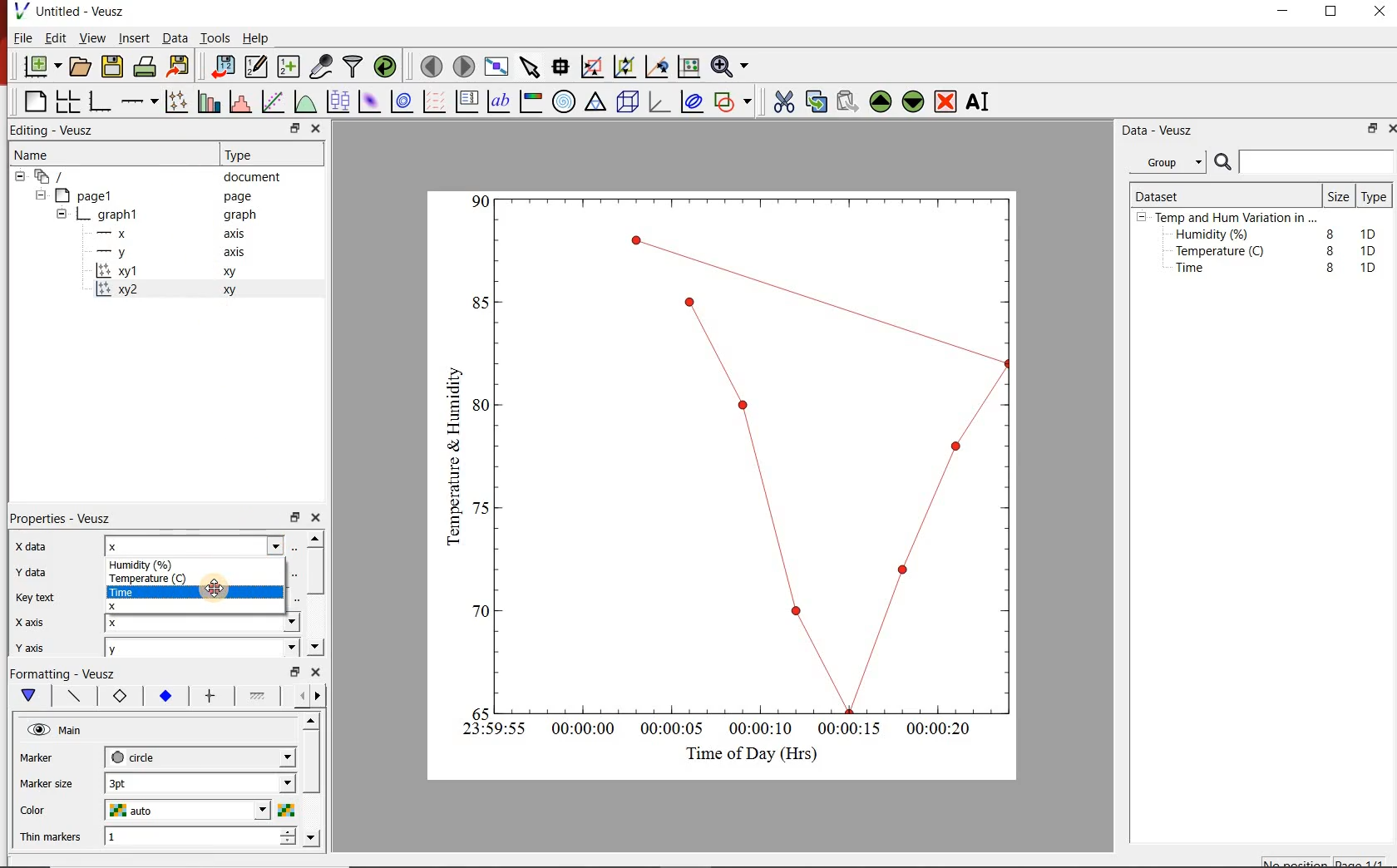  What do you see at coordinates (850, 727) in the screenshot?
I see `00:00:15` at bounding box center [850, 727].